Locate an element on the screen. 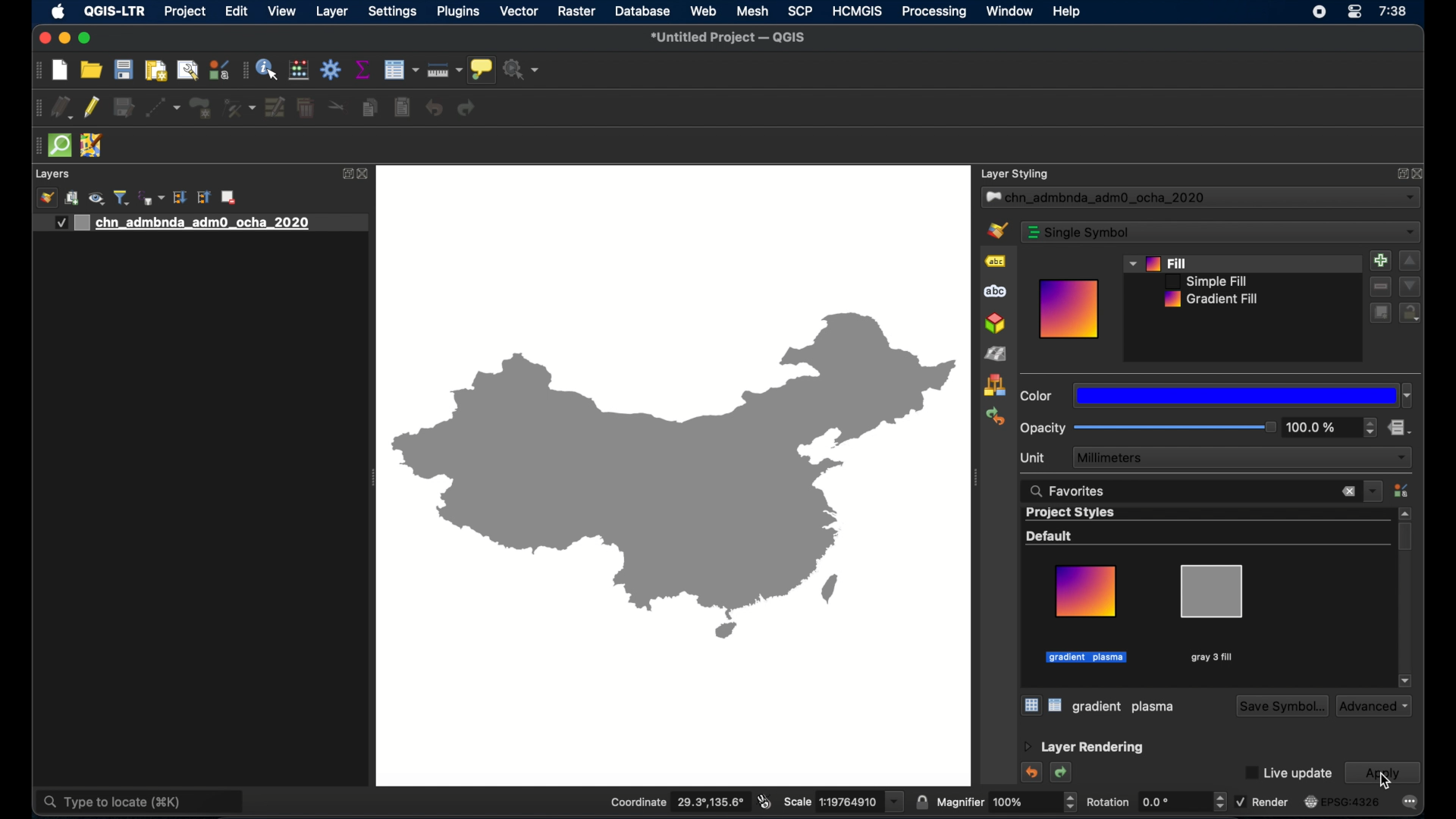 The width and height of the screenshot is (1456, 819). no action selected is located at coordinates (522, 70).